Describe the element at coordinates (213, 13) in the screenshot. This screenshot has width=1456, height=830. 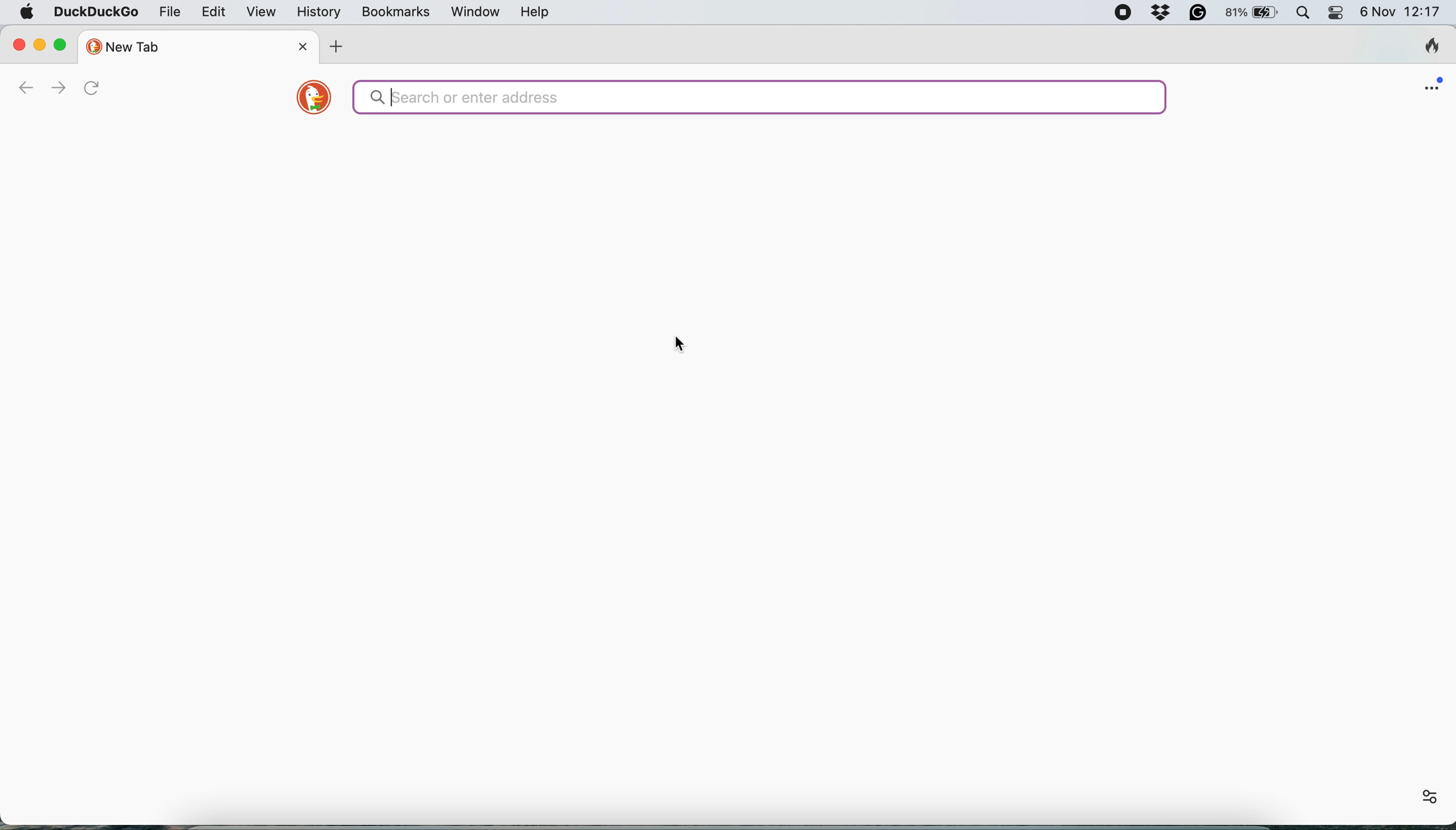
I see `edit` at that location.